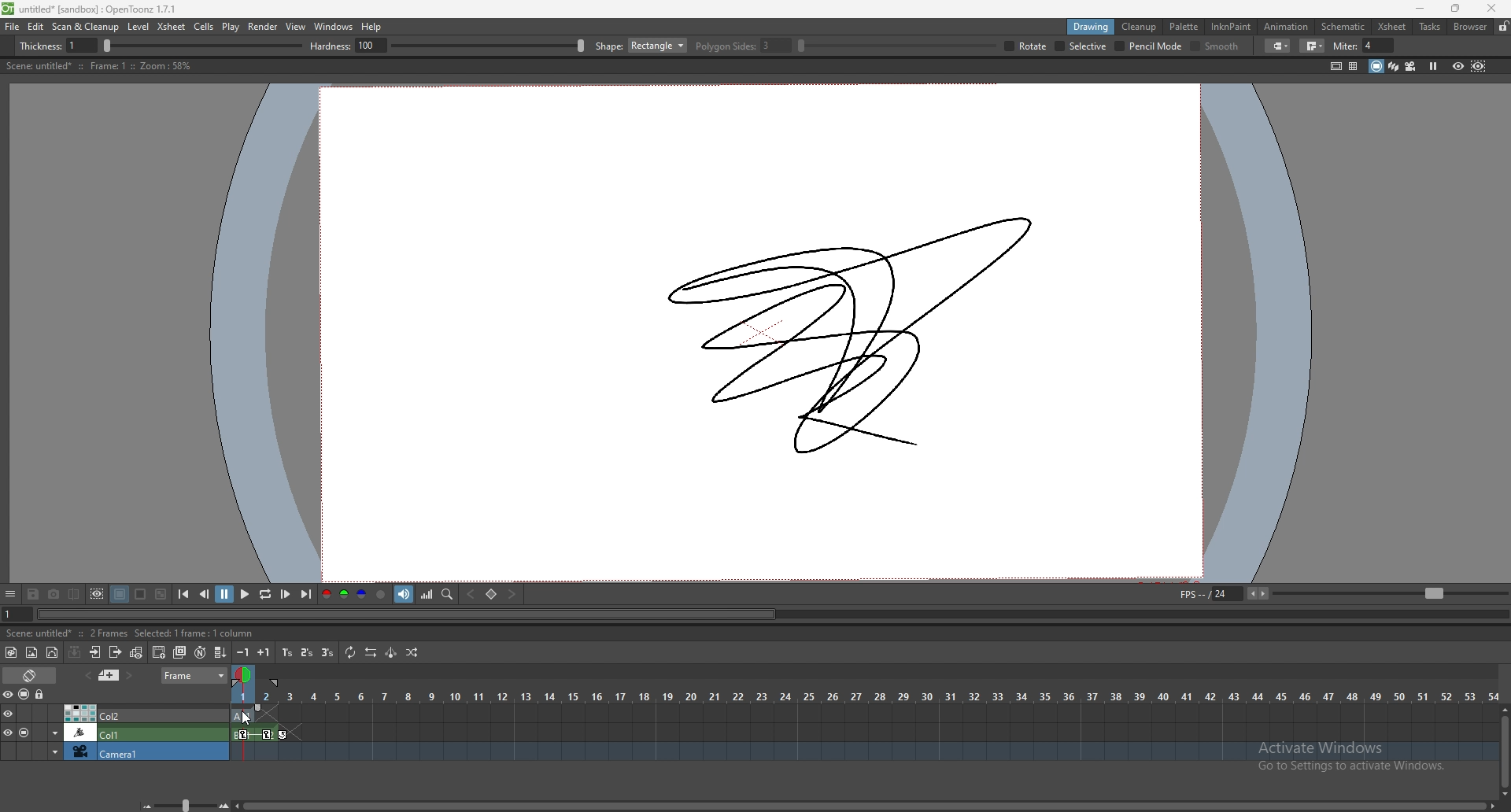 This screenshot has height=812, width=1511. I want to click on rotate bar, so click(896, 46).